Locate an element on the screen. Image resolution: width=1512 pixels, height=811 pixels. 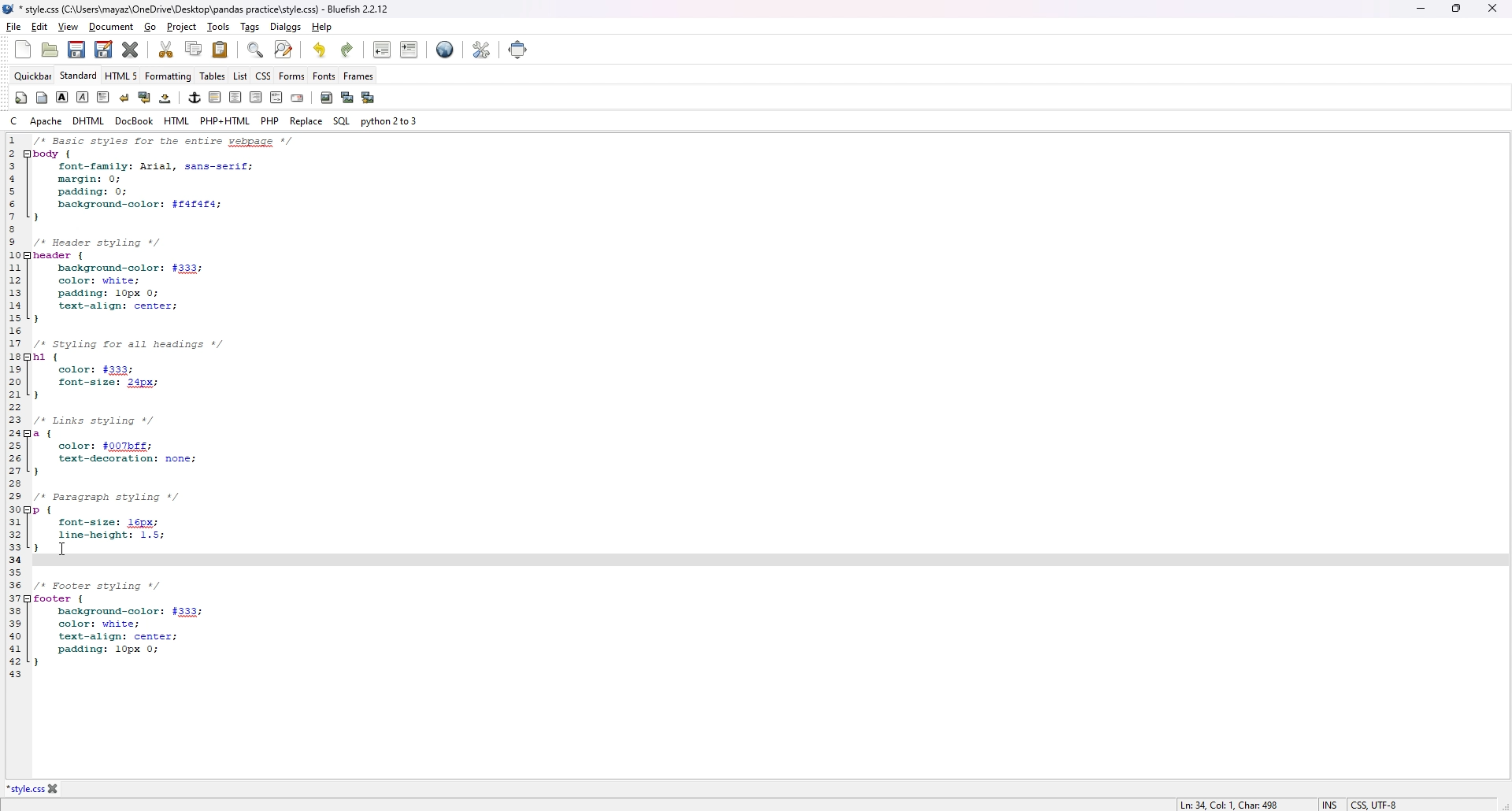
close file is located at coordinates (55, 788).